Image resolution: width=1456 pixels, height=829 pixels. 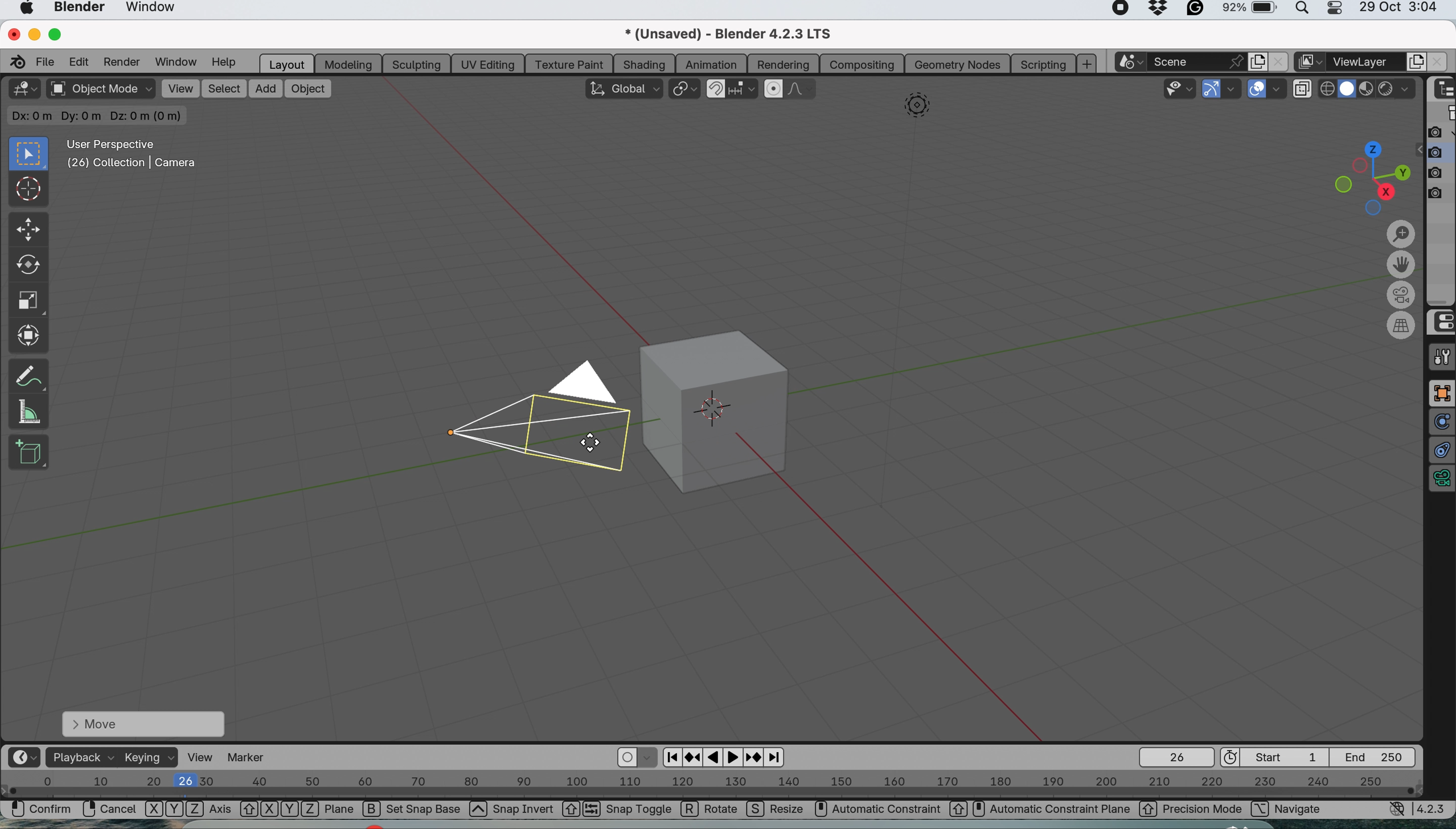 I want to click on rotating cursor, so click(x=594, y=441).